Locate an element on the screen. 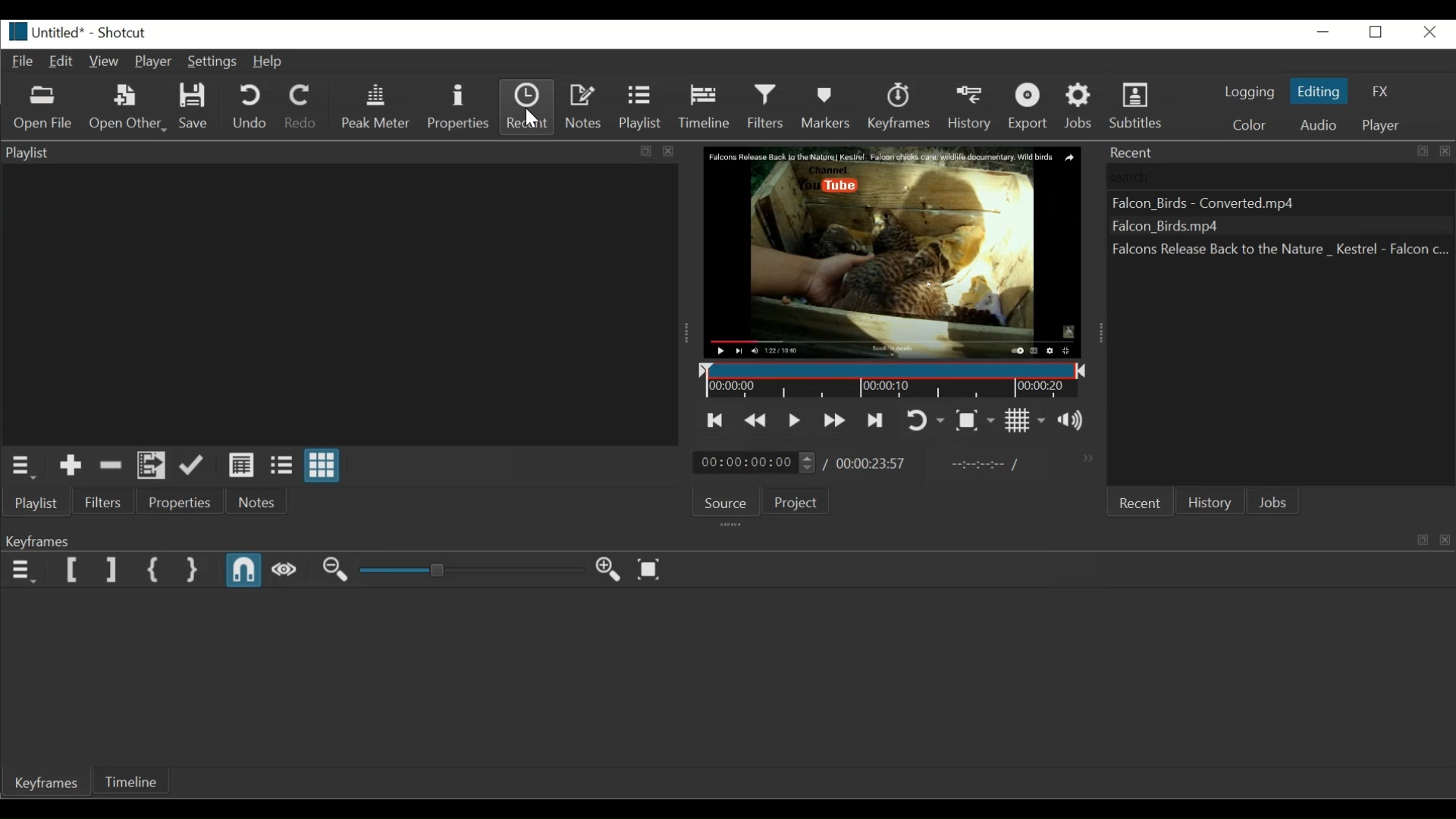  Save is located at coordinates (195, 108).